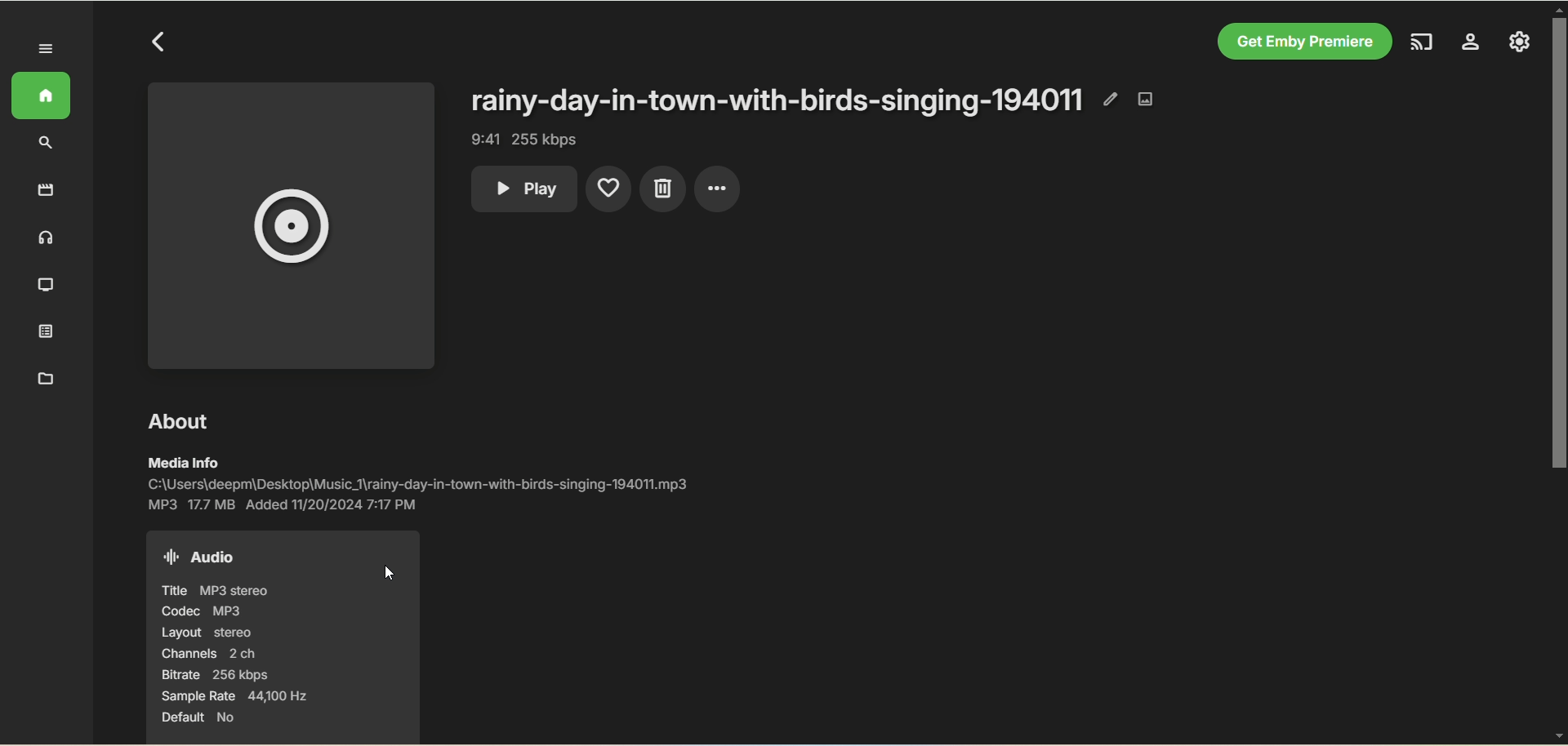 The height and width of the screenshot is (746, 1568). I want to click on media info, so click(182, 462).